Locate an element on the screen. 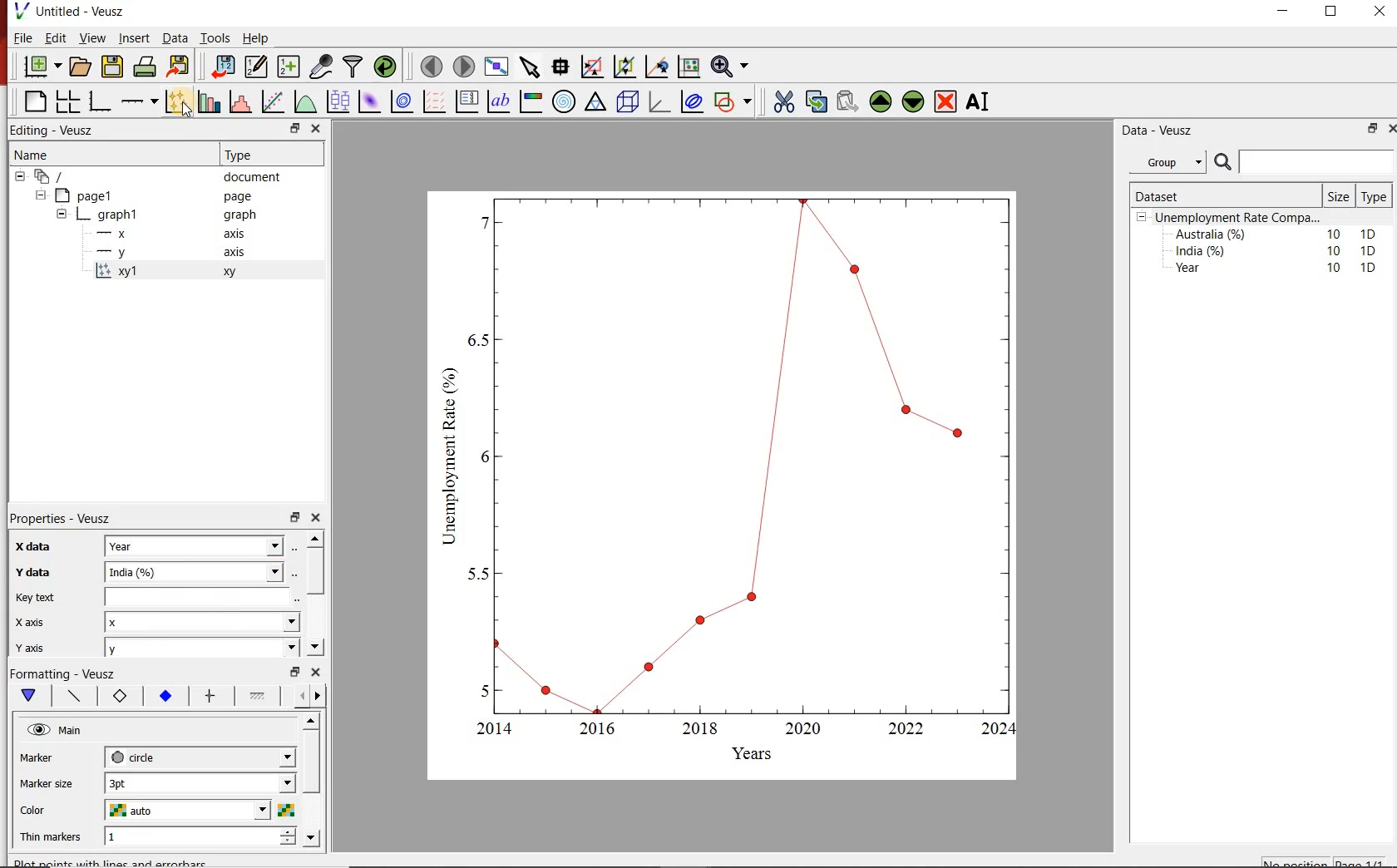  Insert is located at coordinates (133, 37).